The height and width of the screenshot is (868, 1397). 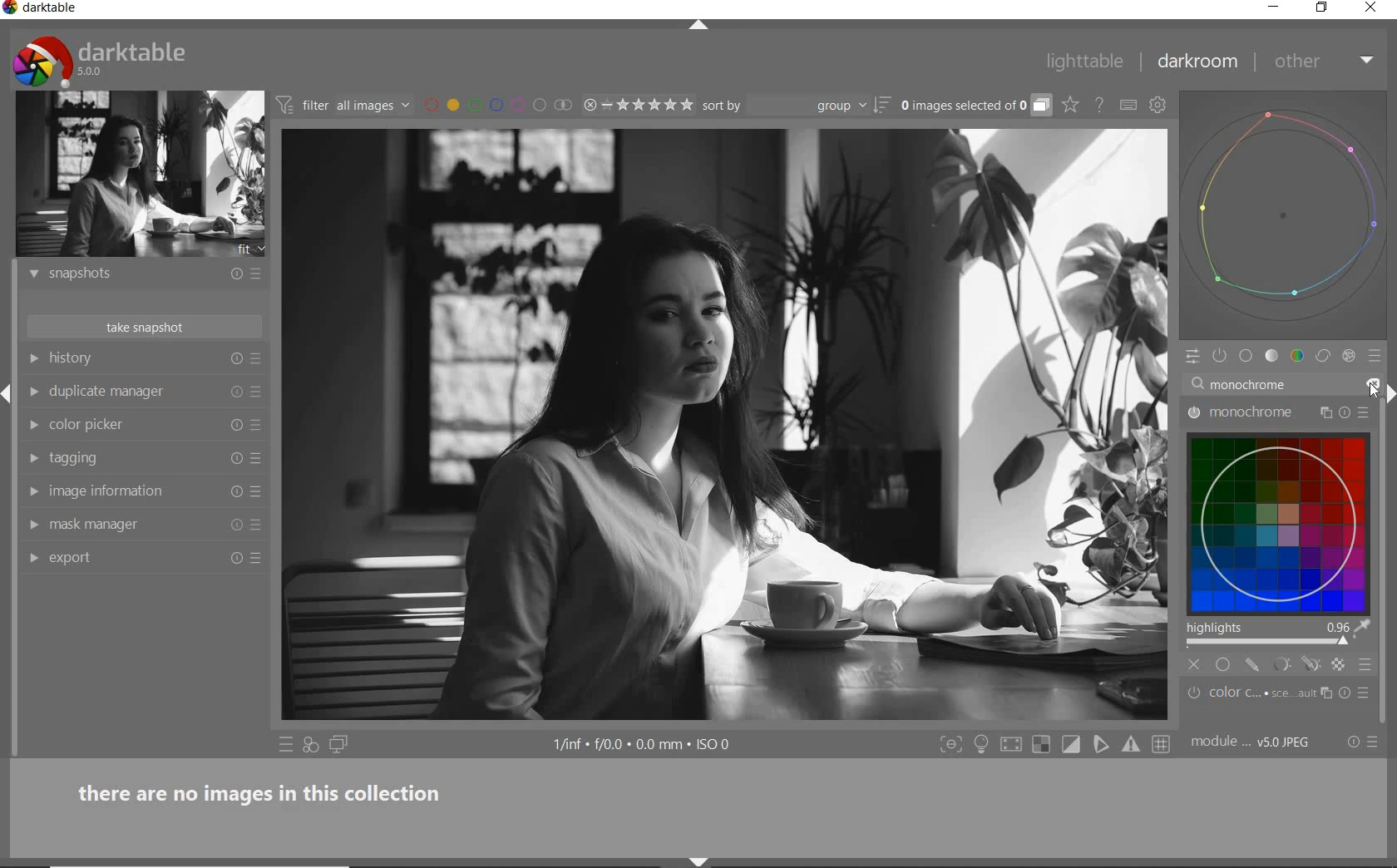 What do you see at coordinates (259, 459) in the screenshot?
I see `preset and preferences` at bounding box center [259, 459].